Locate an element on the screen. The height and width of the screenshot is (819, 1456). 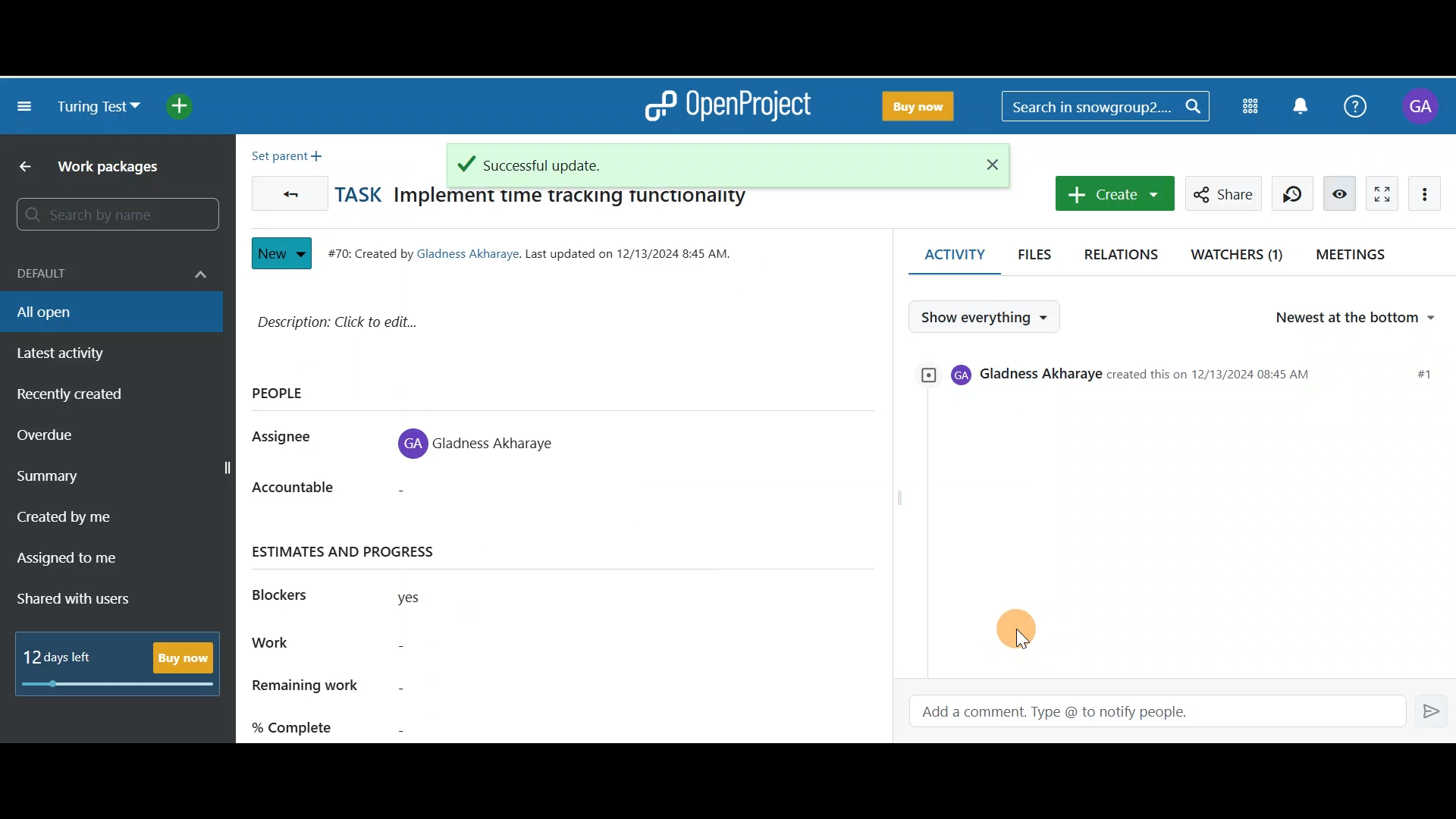
Cursor is located at coordinates (1031, 624).